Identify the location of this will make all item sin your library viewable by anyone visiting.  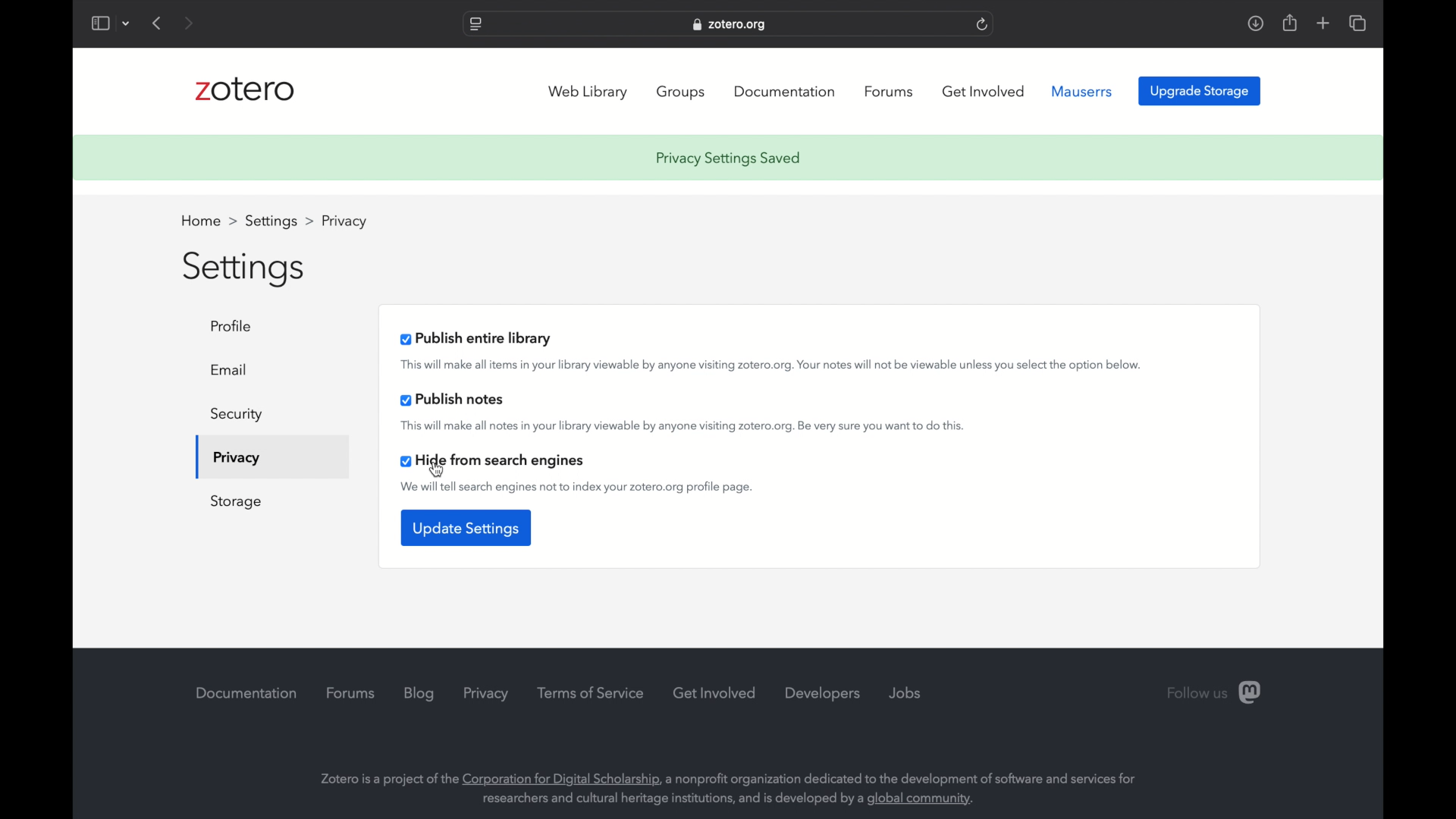
(773, 366).